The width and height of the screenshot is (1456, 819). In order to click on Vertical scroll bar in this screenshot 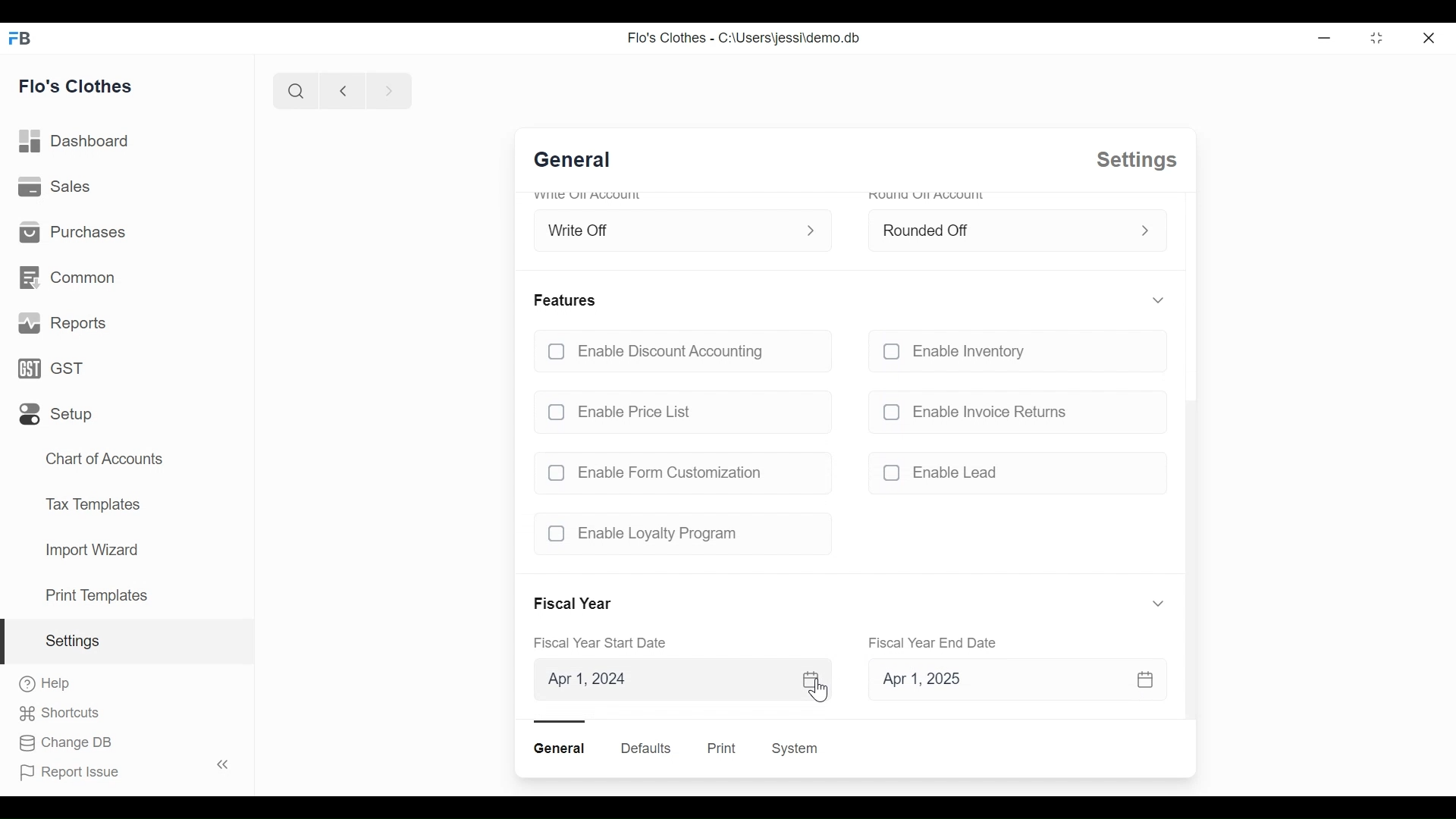, I will do `click(1189, 558)`.